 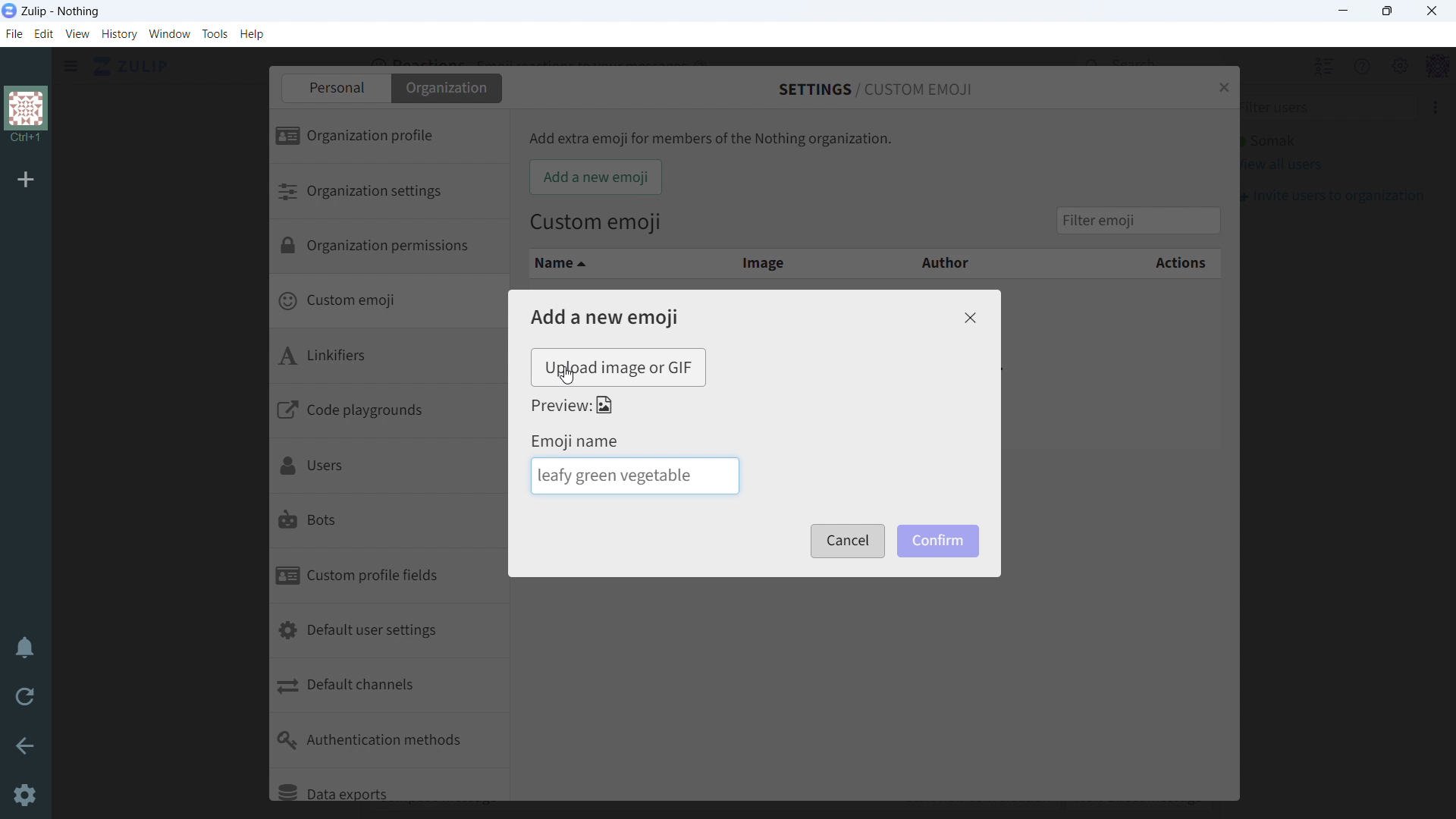 What do you see at coordinates (24, 745) in the screenshot?
I see `go back` at bounding box center [24, 745].